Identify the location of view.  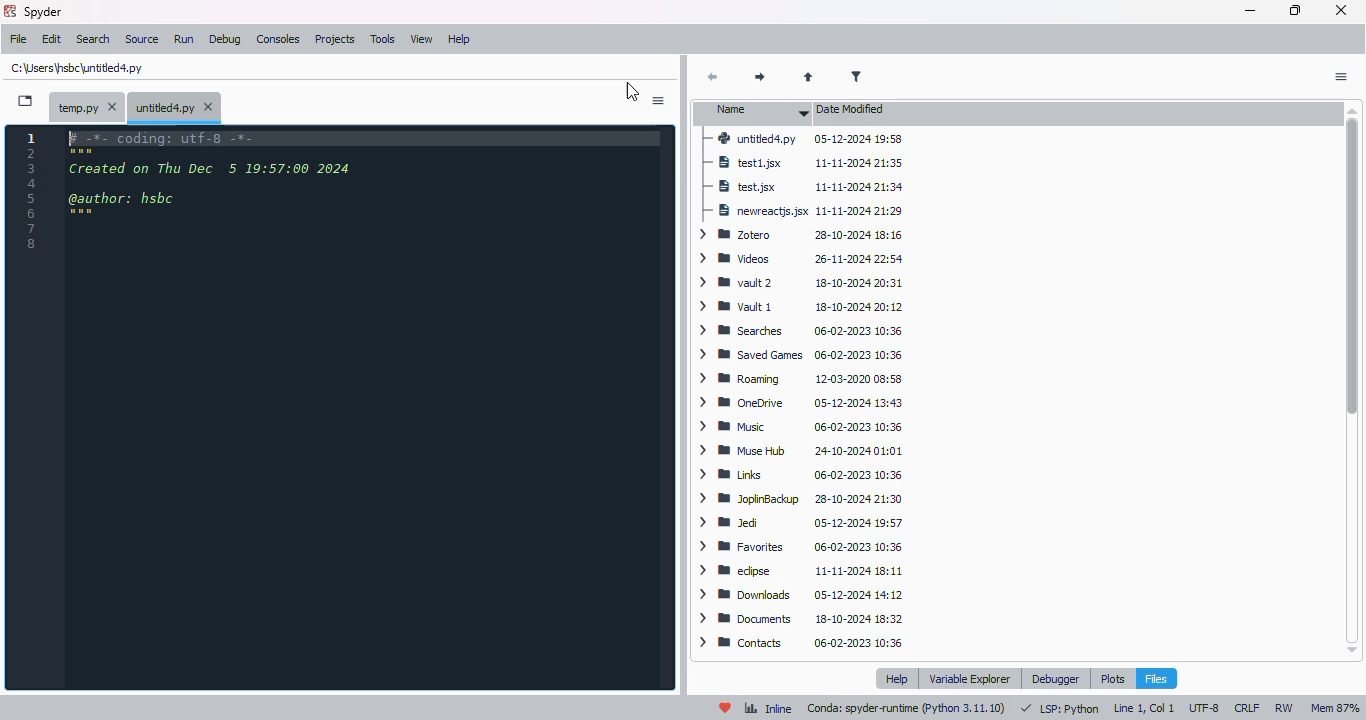
(422, 39).